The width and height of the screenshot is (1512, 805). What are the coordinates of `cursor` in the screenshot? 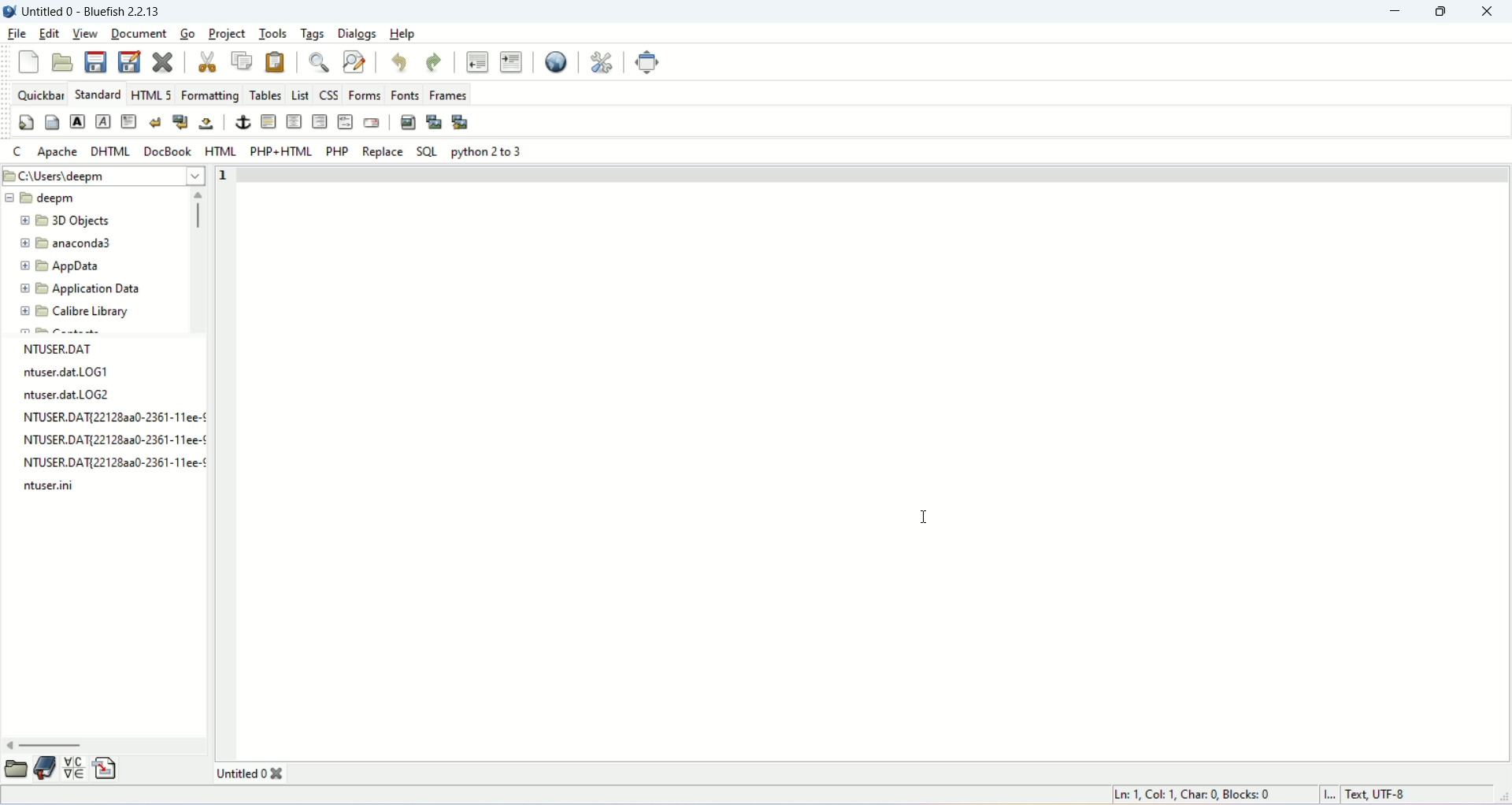 It's located at (924, 520).